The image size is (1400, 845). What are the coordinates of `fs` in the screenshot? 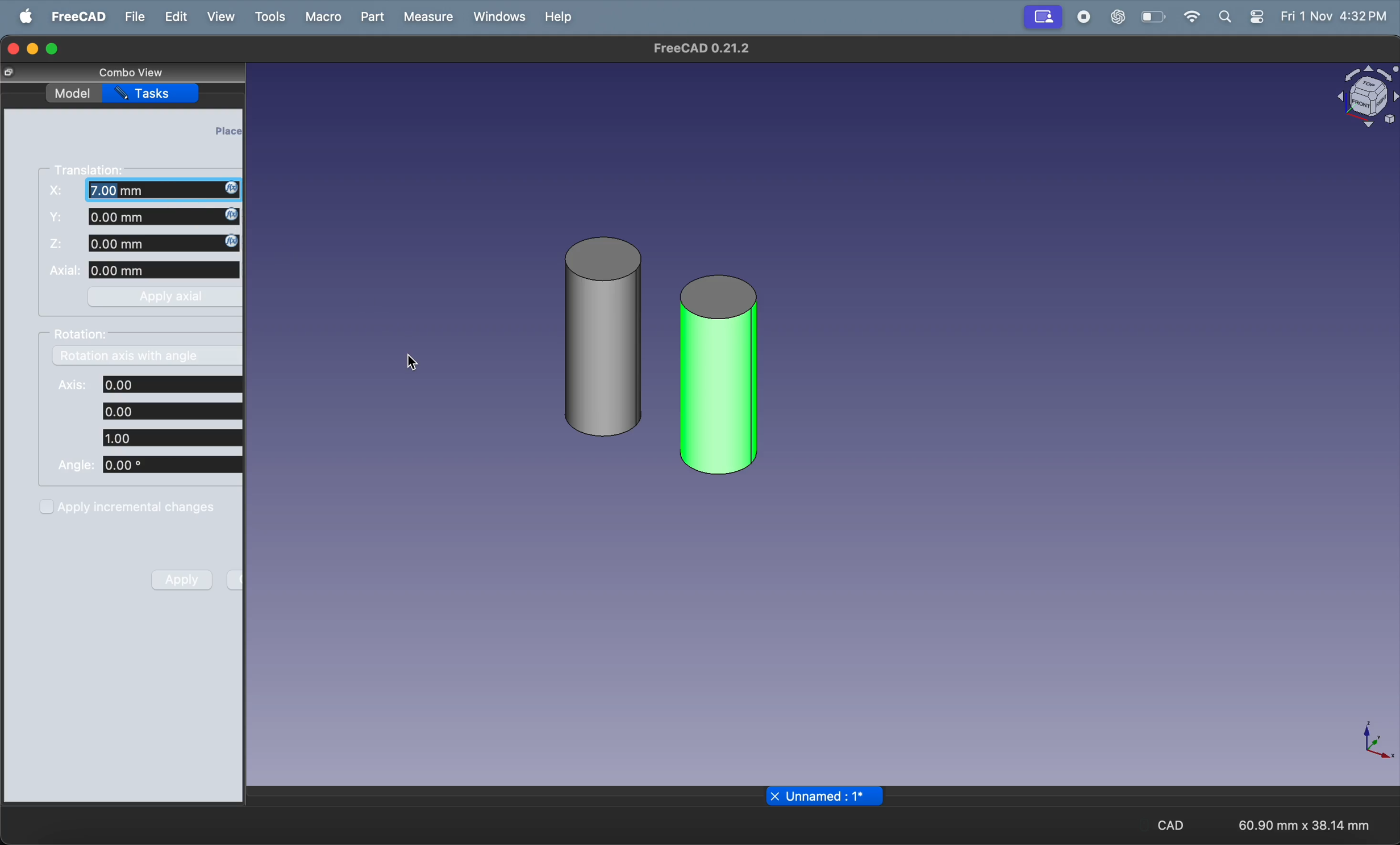 It's located at (59, 217).